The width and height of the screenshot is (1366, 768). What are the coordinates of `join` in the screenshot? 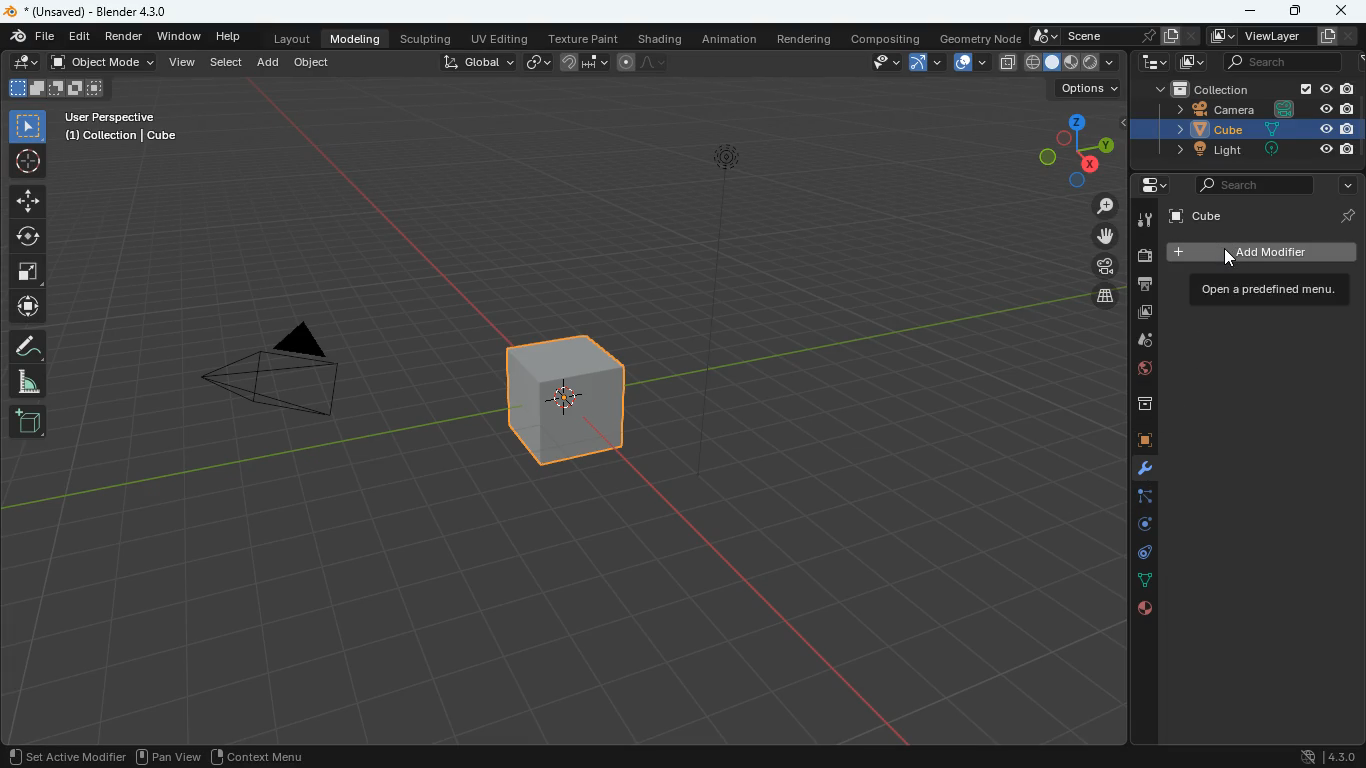 It's located at (585, 62).